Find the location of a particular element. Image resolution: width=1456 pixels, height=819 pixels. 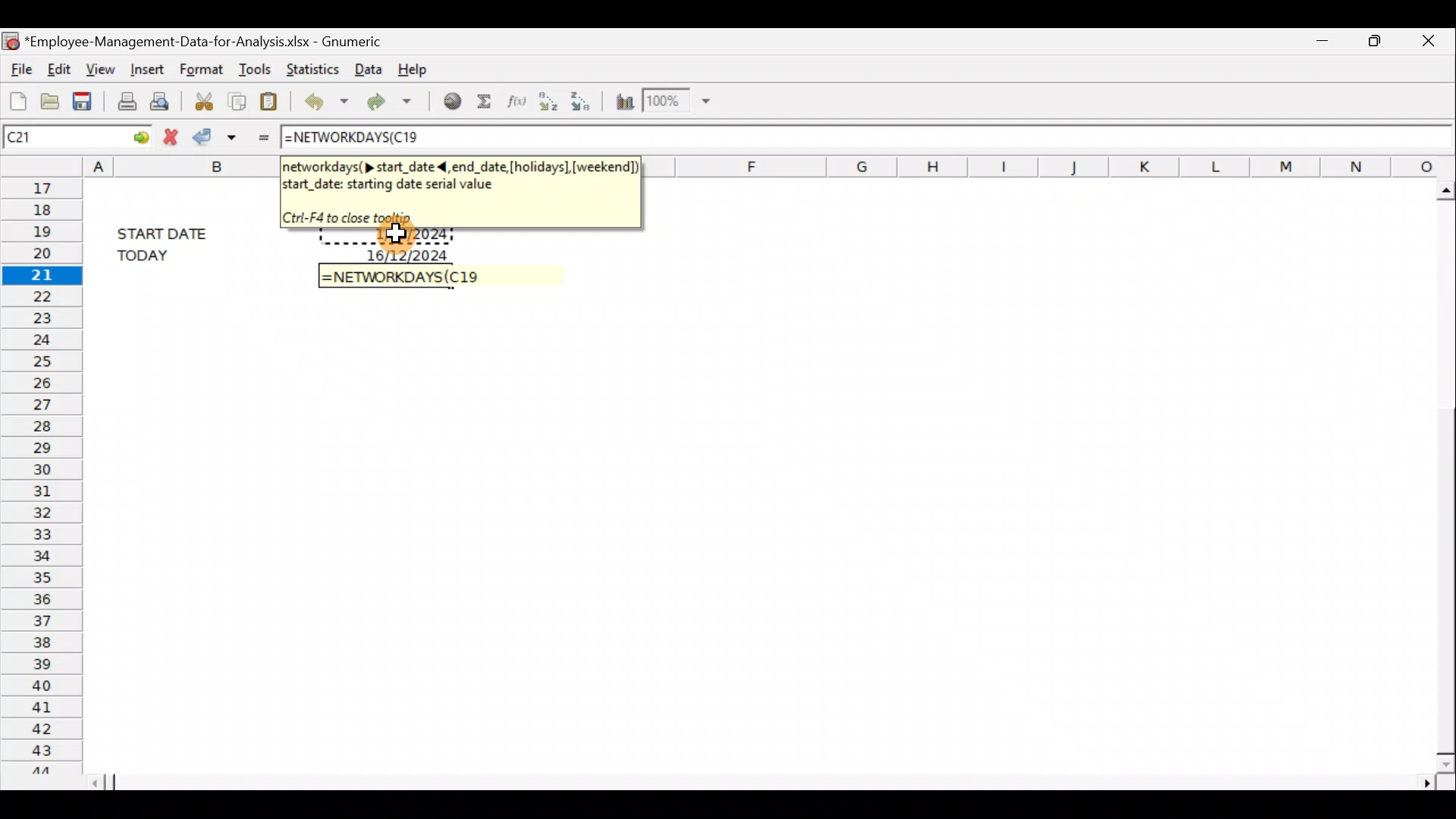

Gnumeric logo is located at coordinates (11, 39).